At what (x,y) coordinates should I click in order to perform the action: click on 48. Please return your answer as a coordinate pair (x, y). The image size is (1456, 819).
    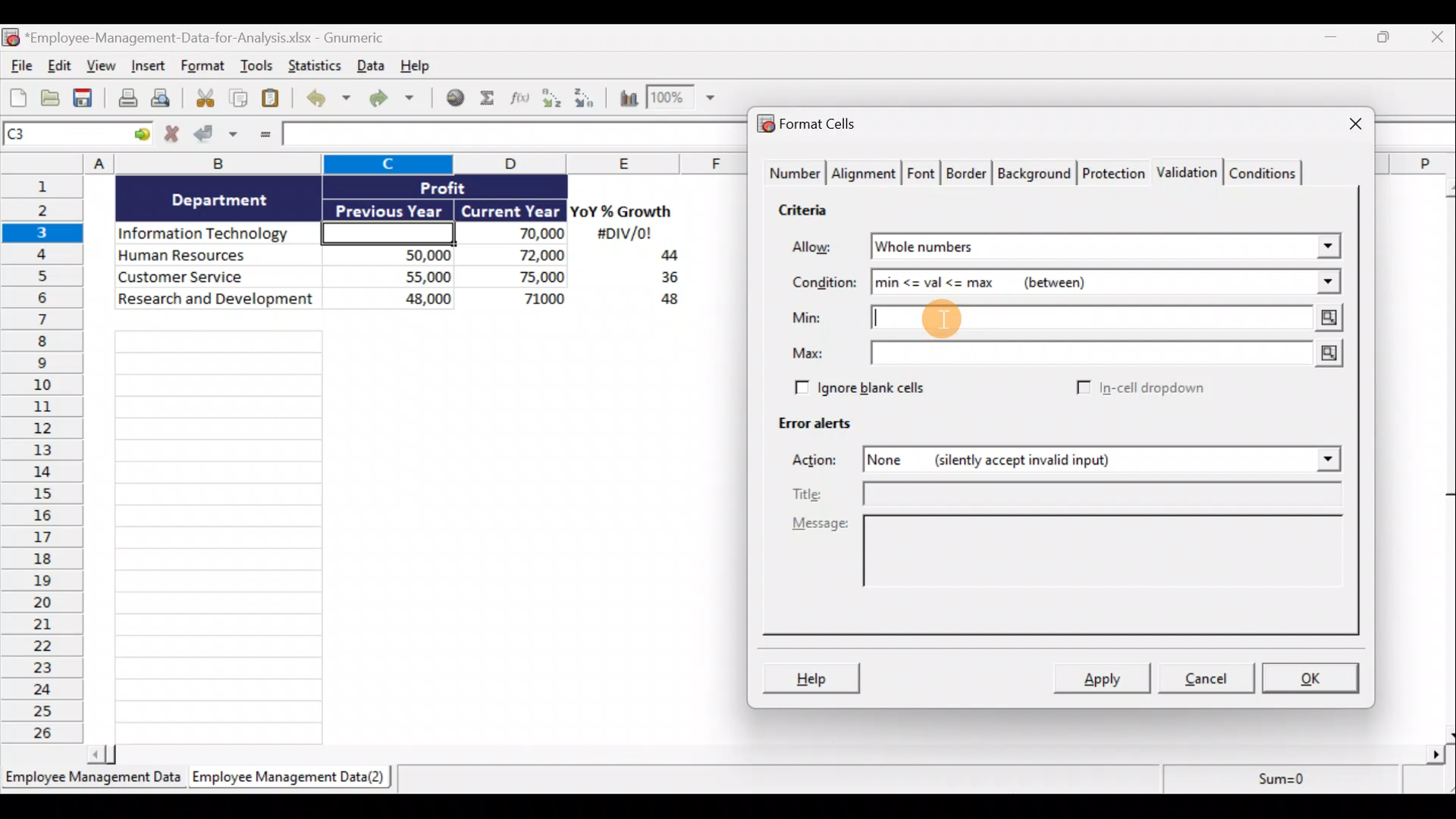
    Looking at the image, I should click on (661, 302).